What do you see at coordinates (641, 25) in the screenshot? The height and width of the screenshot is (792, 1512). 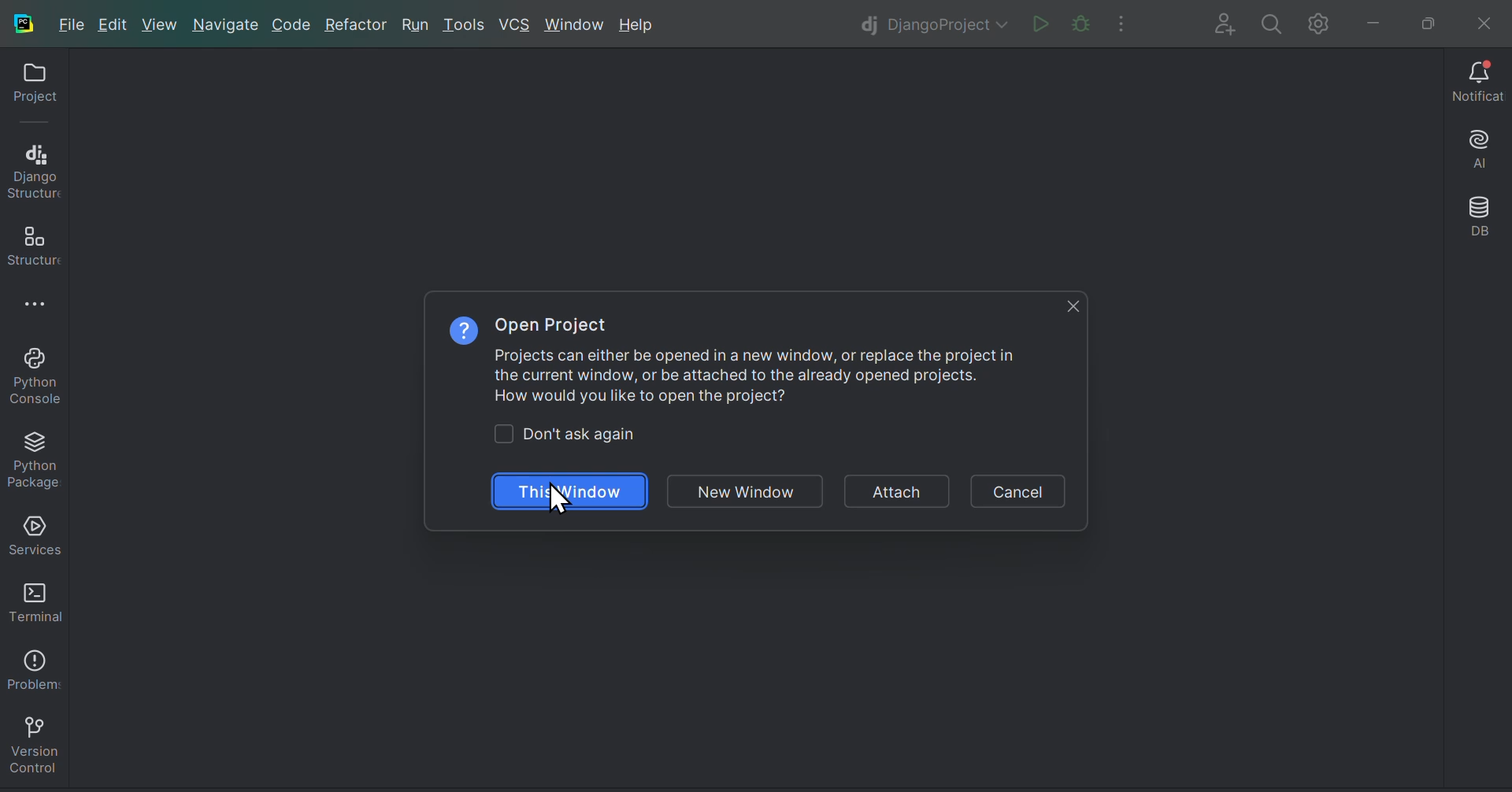 I see `Help` at bounding box center [641, 25].